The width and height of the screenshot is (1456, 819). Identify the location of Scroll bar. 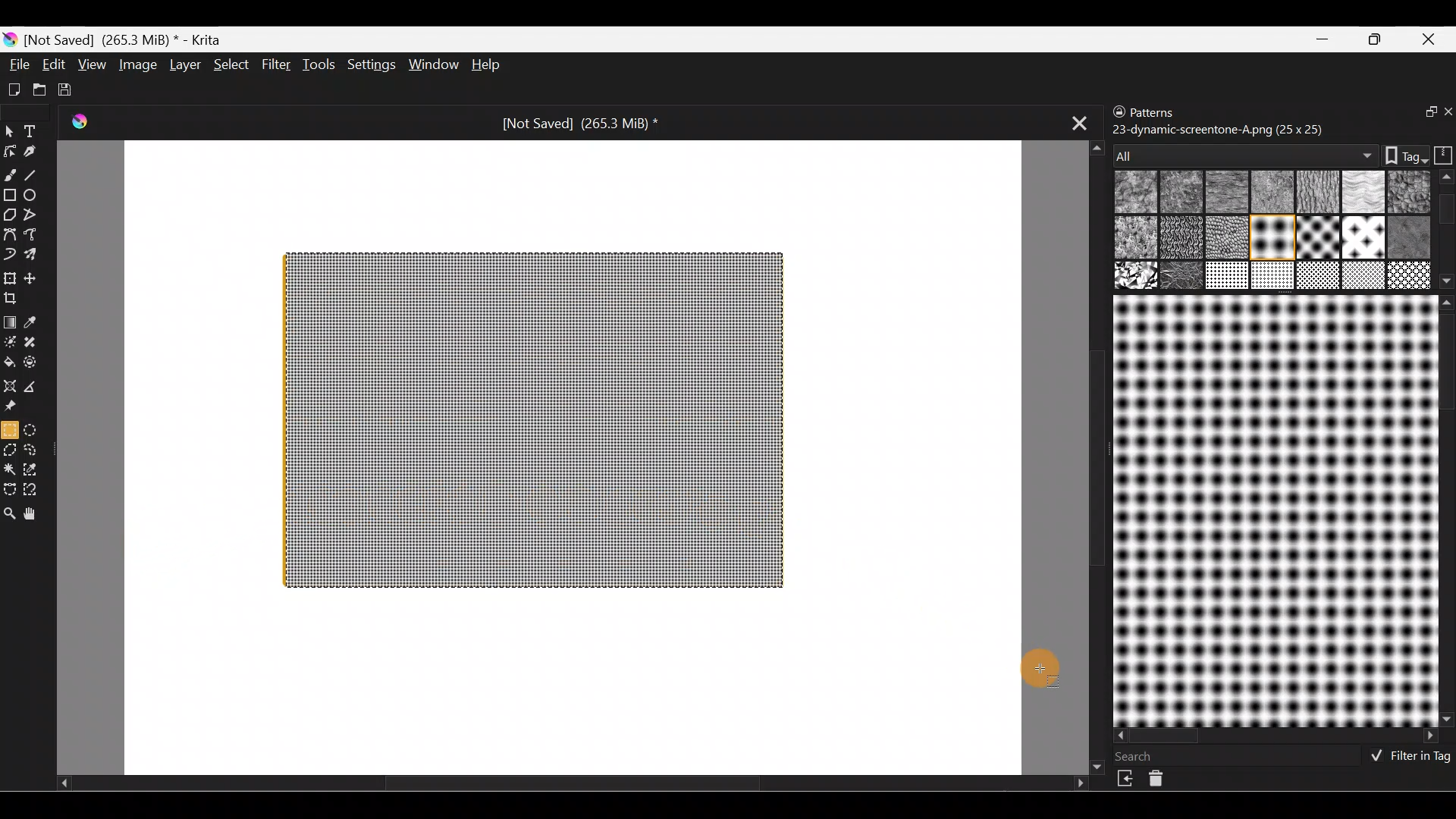
(1447, 230).